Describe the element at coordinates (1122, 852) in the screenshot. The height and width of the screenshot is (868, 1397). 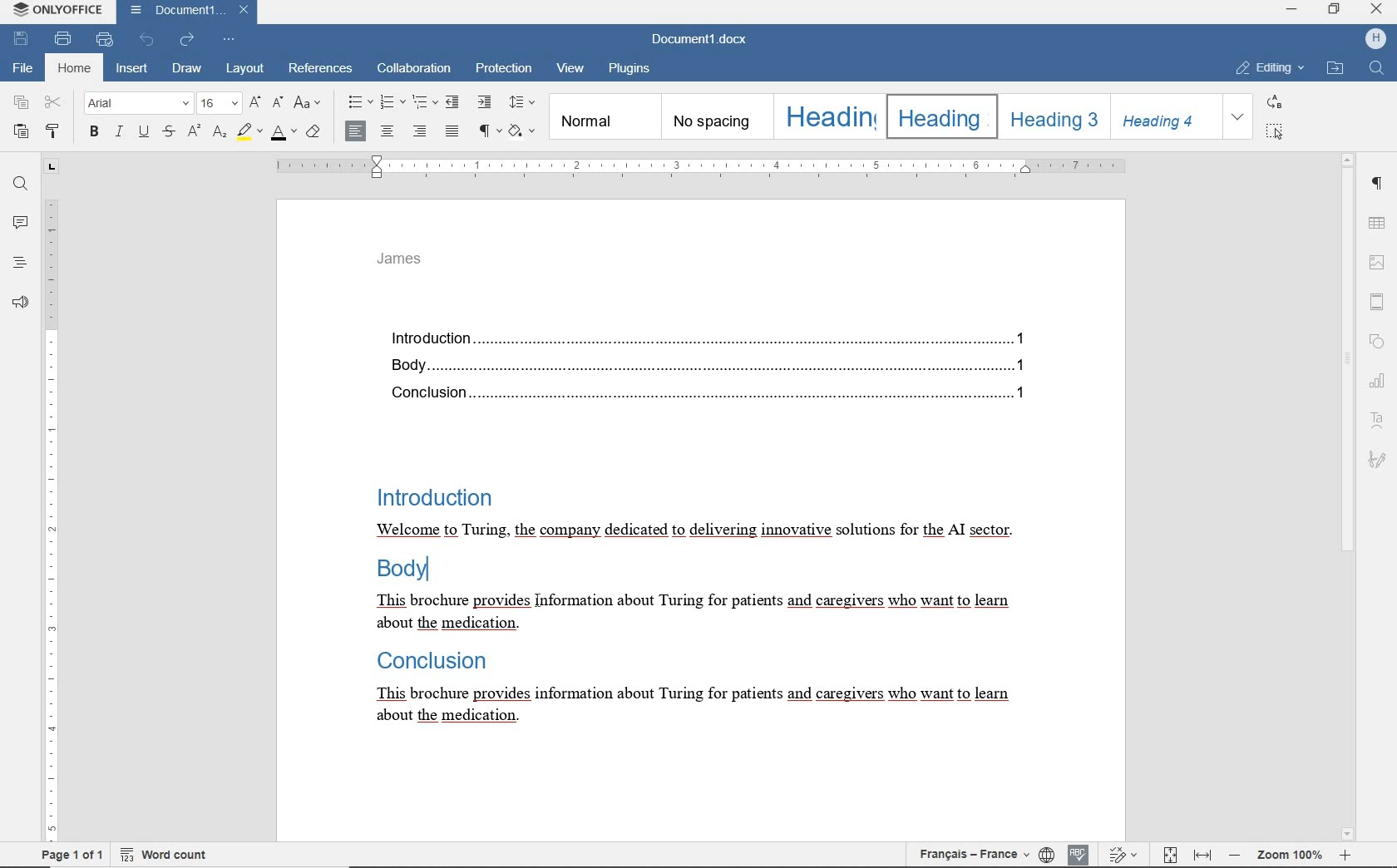
I see `TRACK CHANGES` at that location.